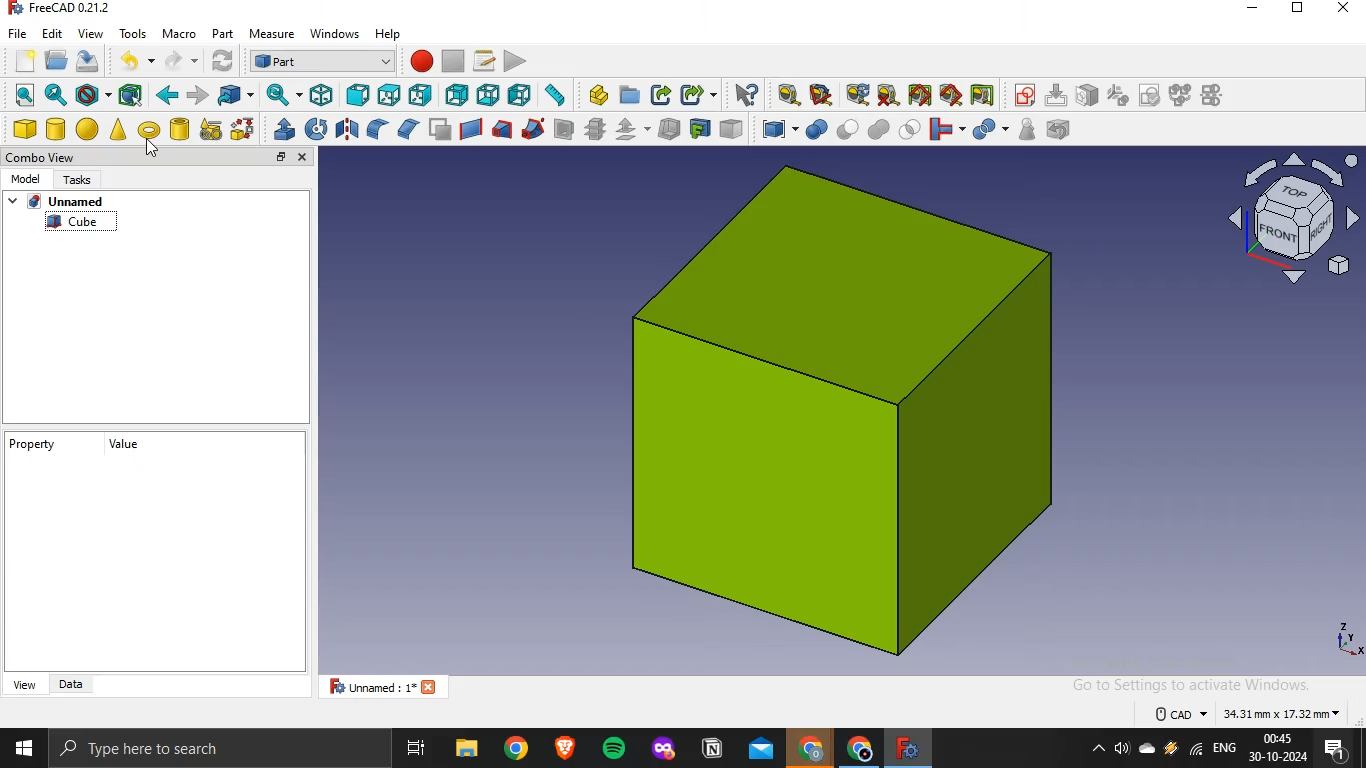 Image resolution: width=1366 pixels, height=768 pixels. Describe the element at coordinates (235, 94) in the screenshot. I see `go to linked object` at that location.